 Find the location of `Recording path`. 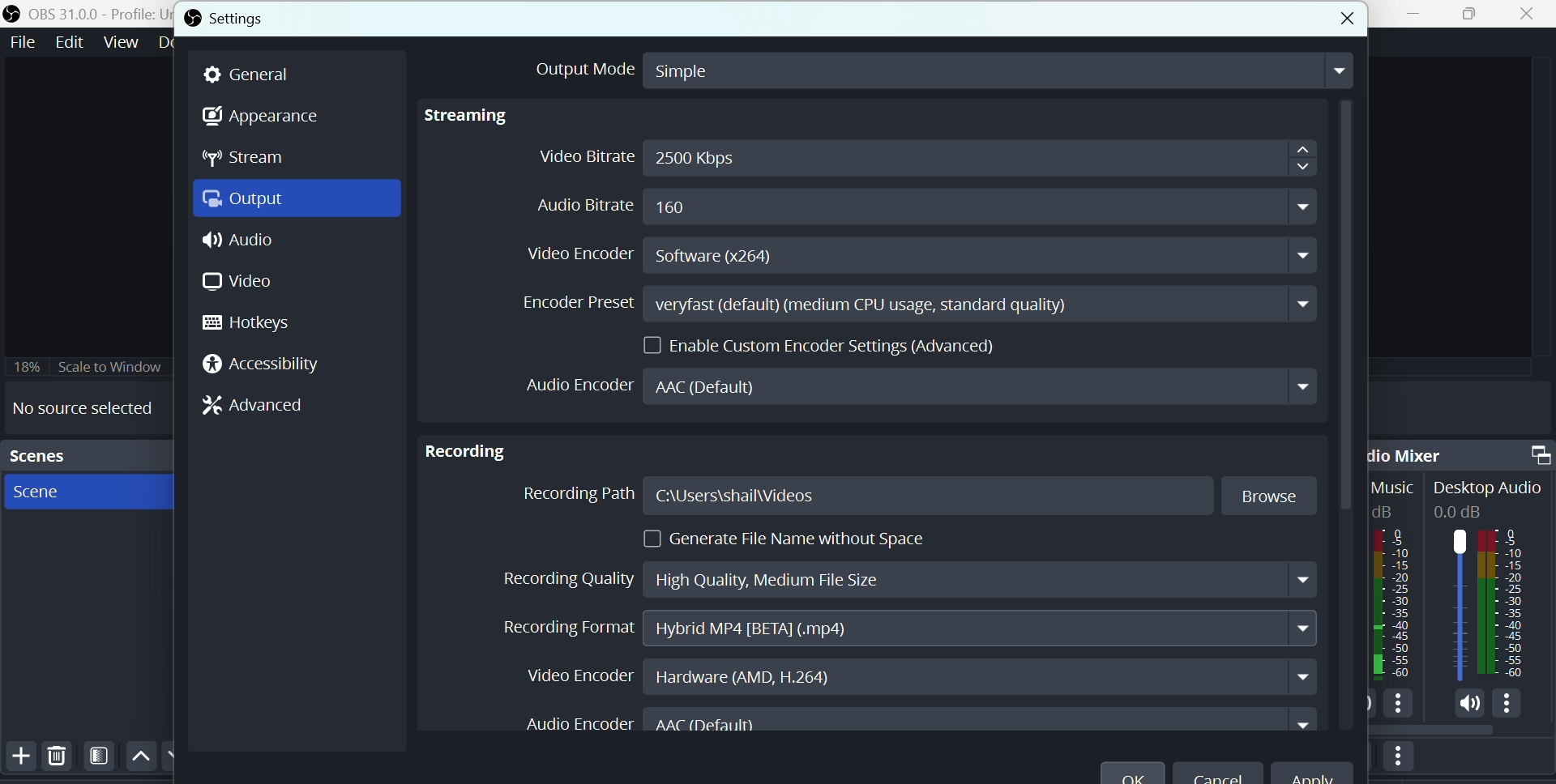

Recording path is located at coordinates (864, 497).